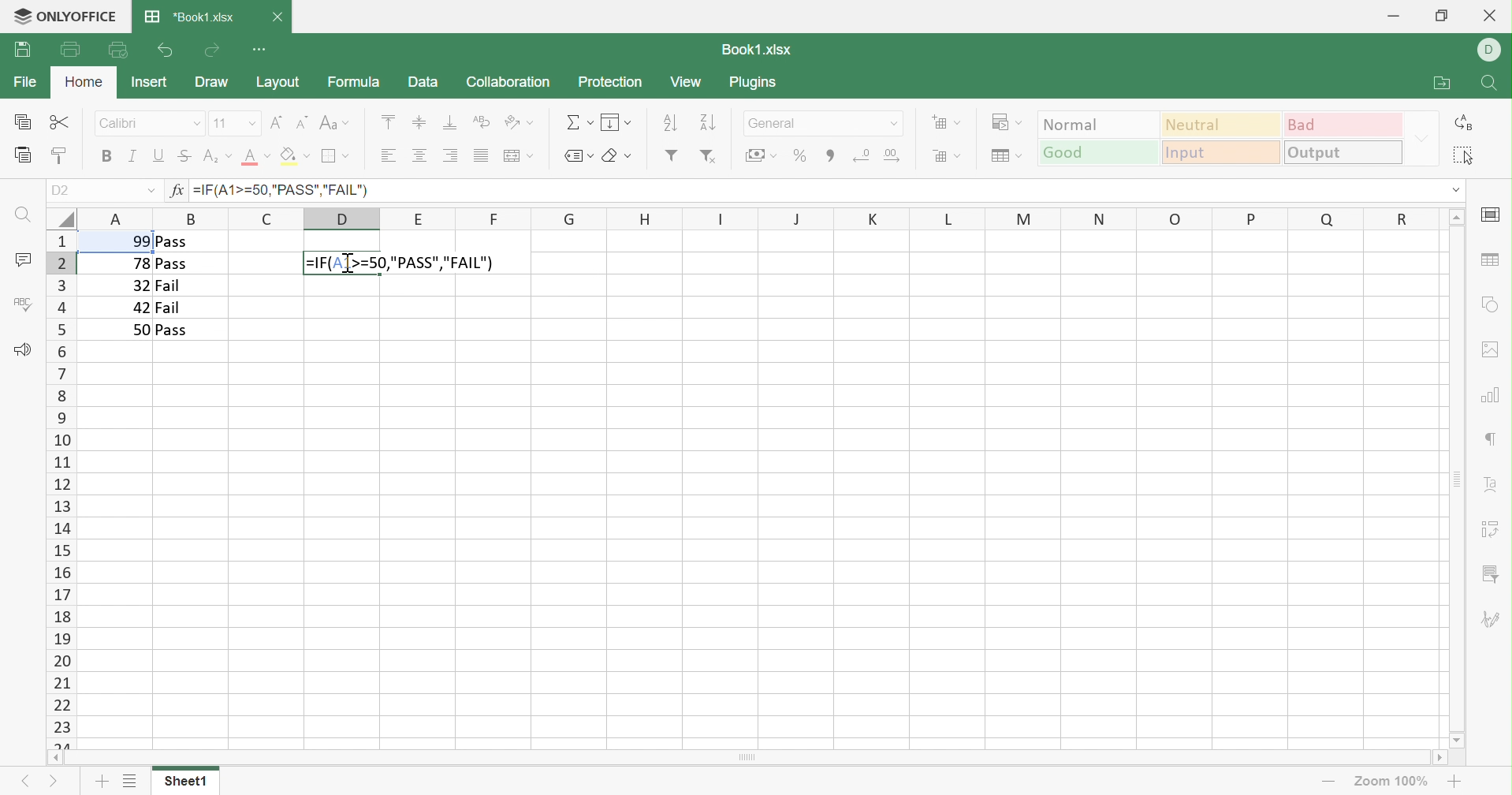 The width and height of the screenshot is (1512, 795). Describe the element at coordinates (755, 84) in the screenshot. I see `Plugins` at that location.